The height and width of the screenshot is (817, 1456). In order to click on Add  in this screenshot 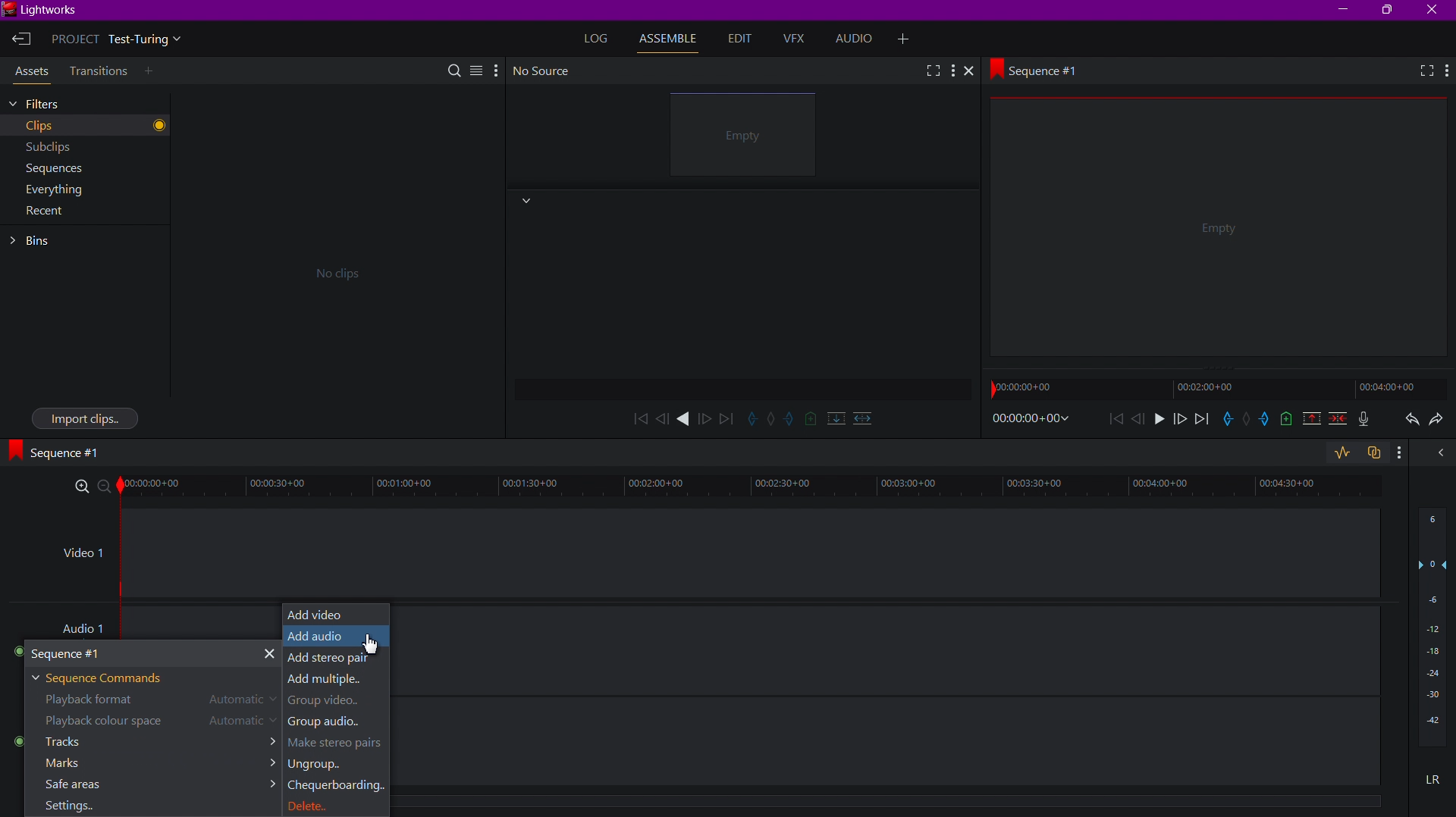, I will do `click(908, 37)`.